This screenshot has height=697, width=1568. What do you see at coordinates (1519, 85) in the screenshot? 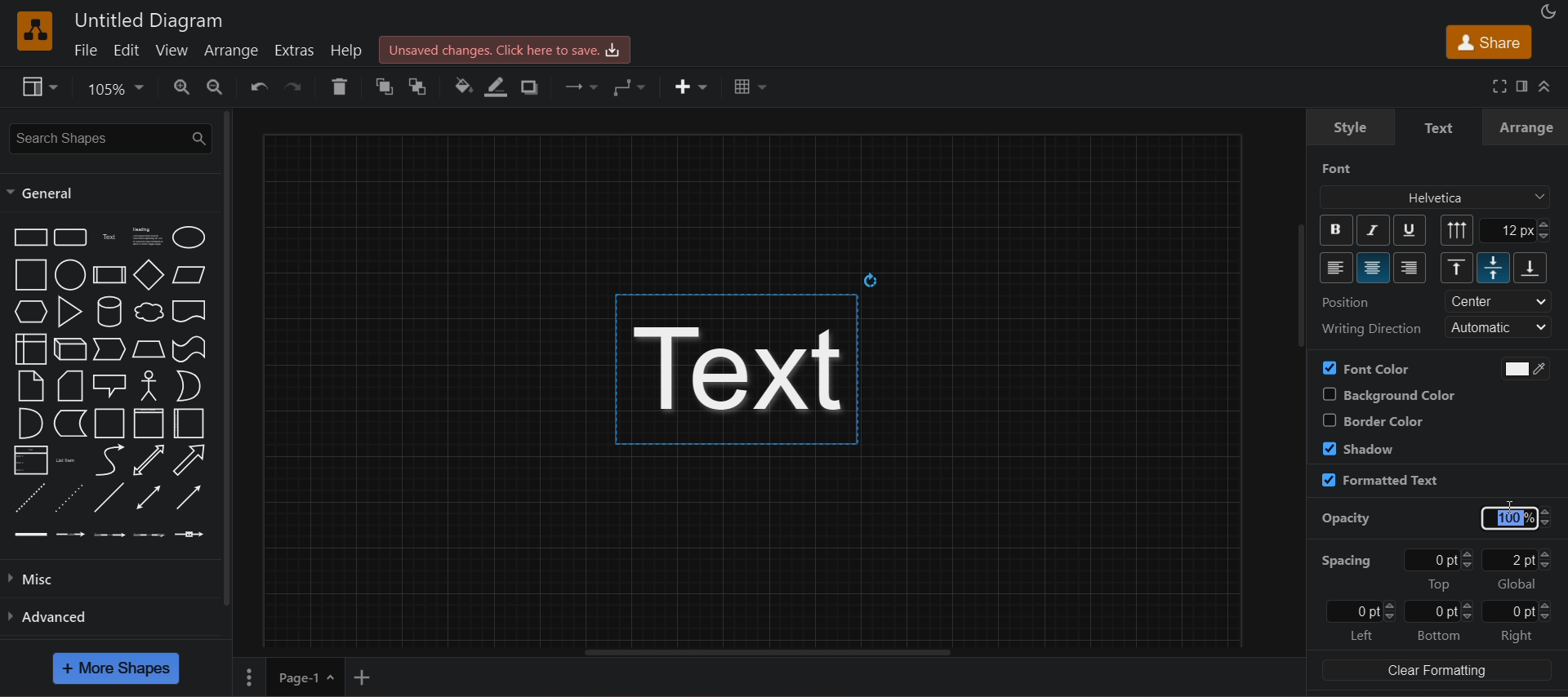
I see `format` at bounding box center [1519, 85].